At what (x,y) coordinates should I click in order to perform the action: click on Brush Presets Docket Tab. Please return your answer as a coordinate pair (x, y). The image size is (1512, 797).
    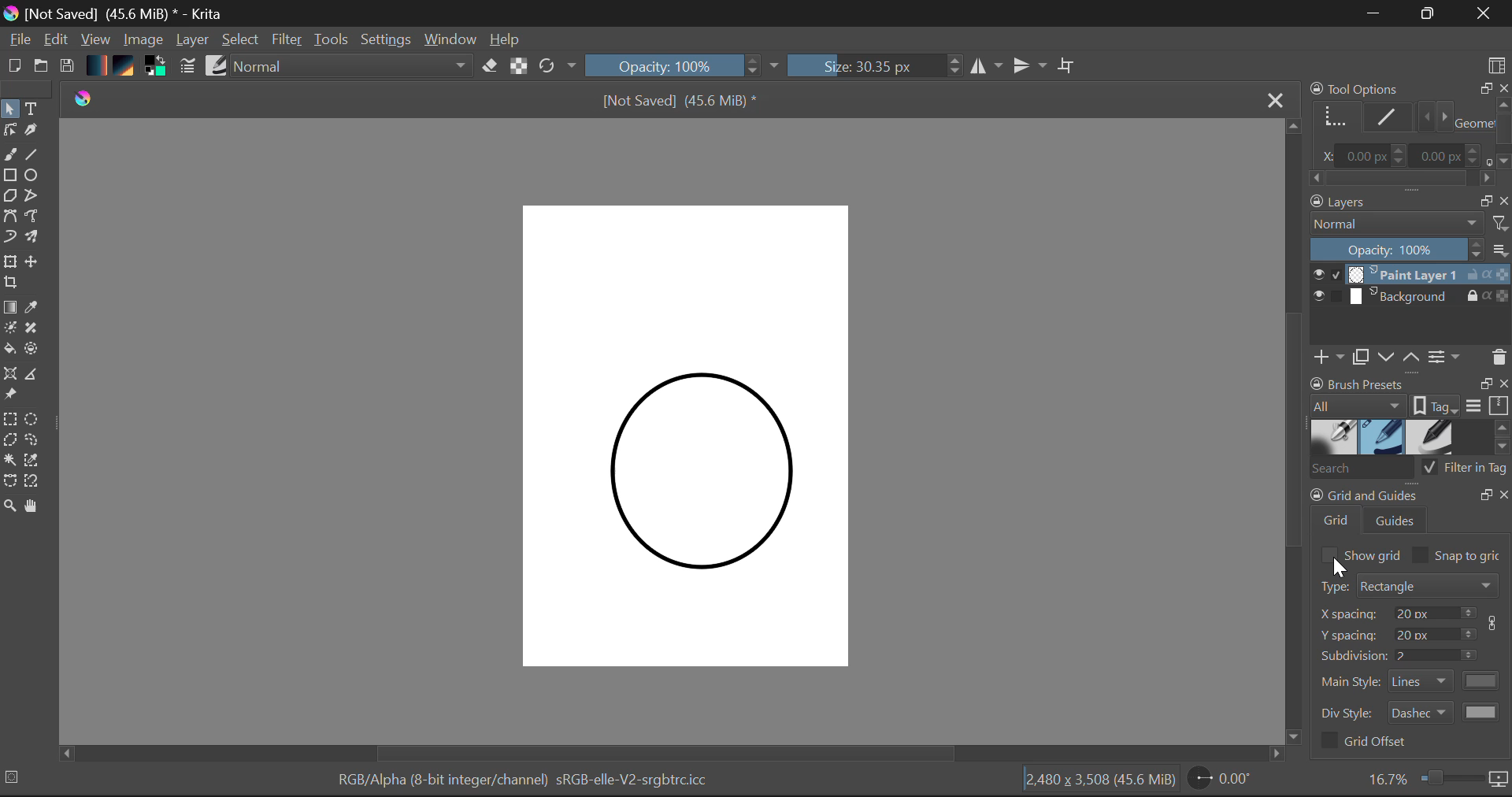
    Looking at the image, I should click on (1410, 395).